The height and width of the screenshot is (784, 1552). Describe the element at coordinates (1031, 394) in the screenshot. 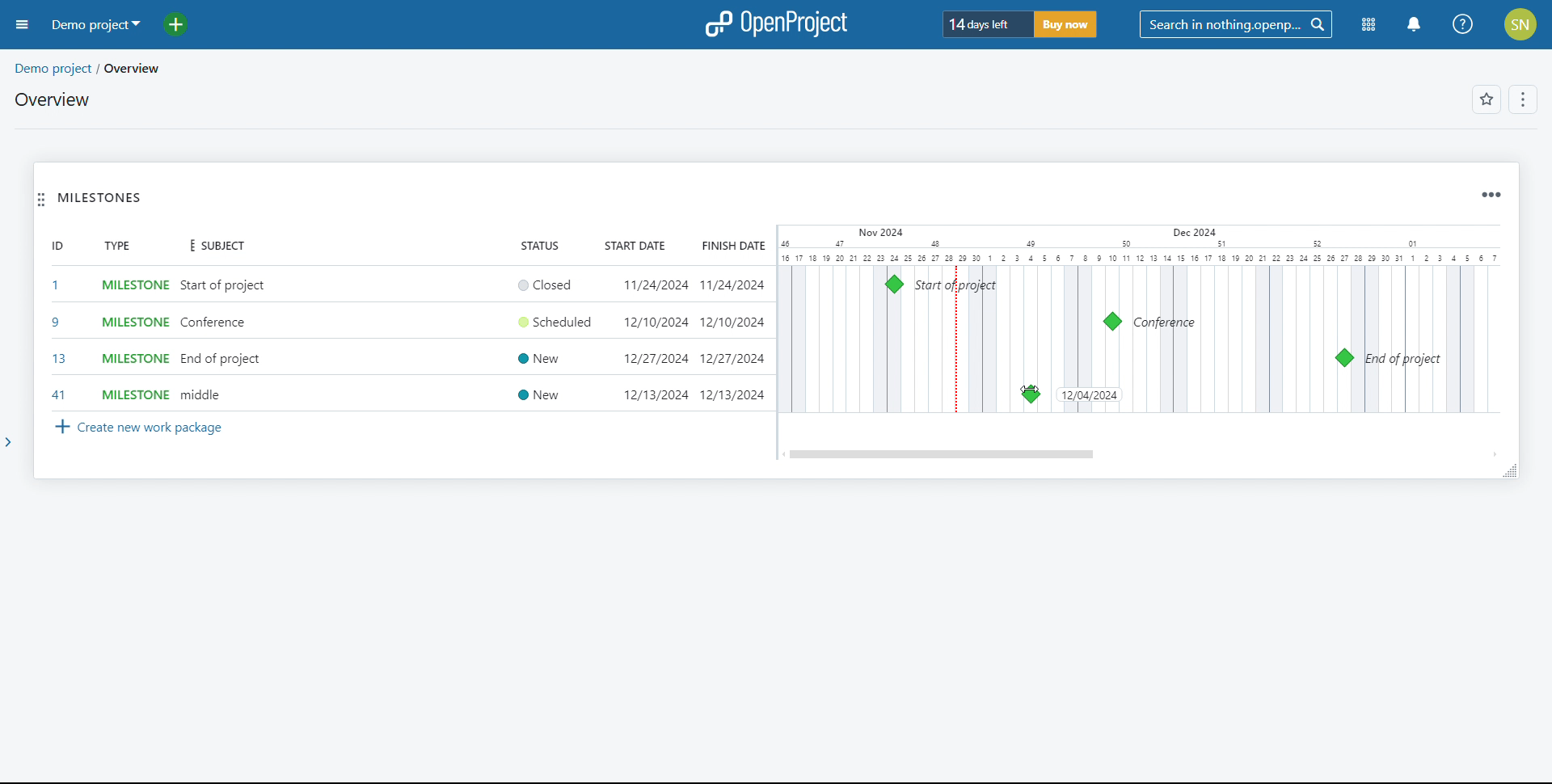

I see `milsetone moved` at that location.